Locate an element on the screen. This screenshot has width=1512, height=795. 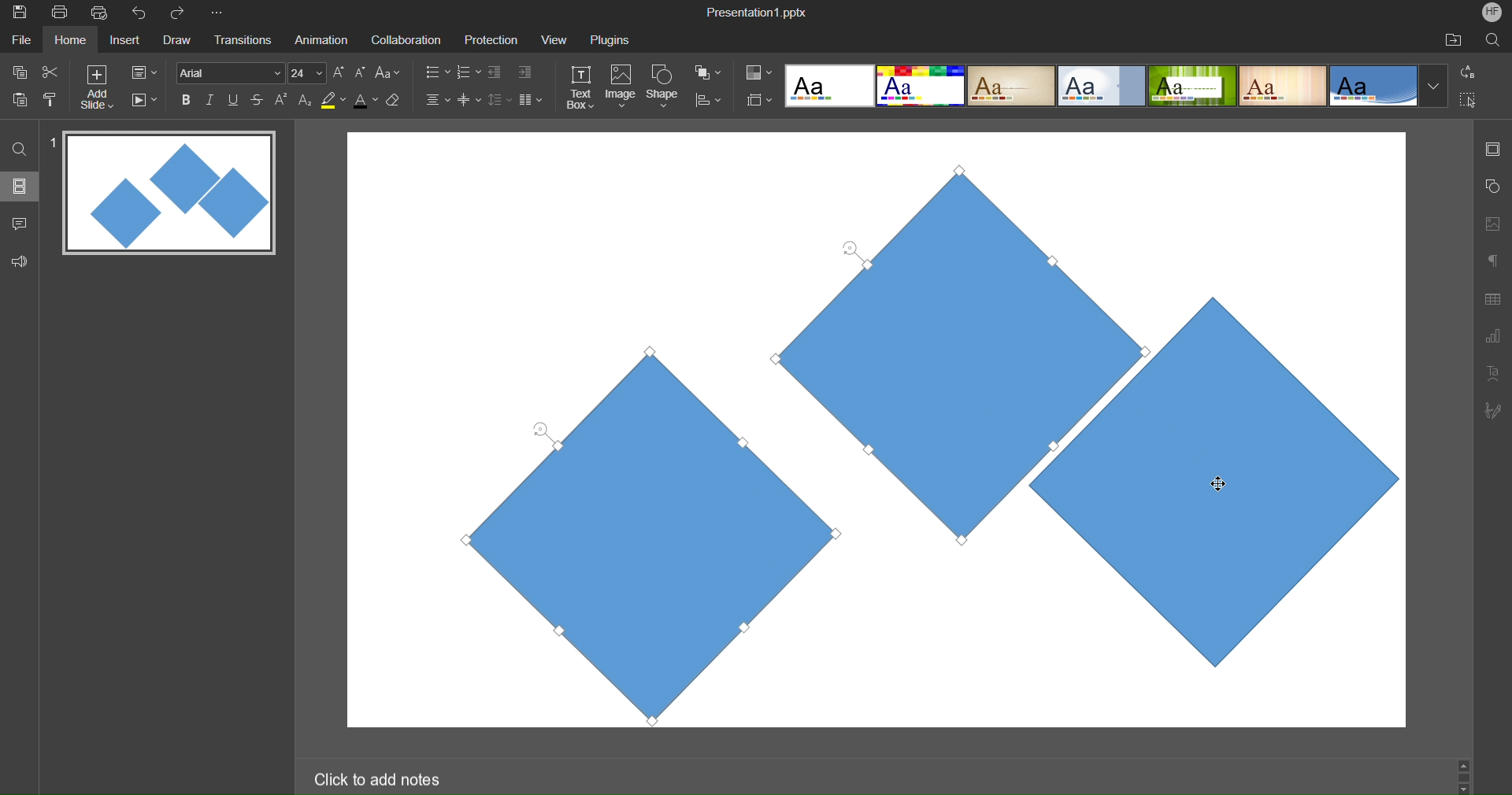
support is located at coordinates (24, 260).